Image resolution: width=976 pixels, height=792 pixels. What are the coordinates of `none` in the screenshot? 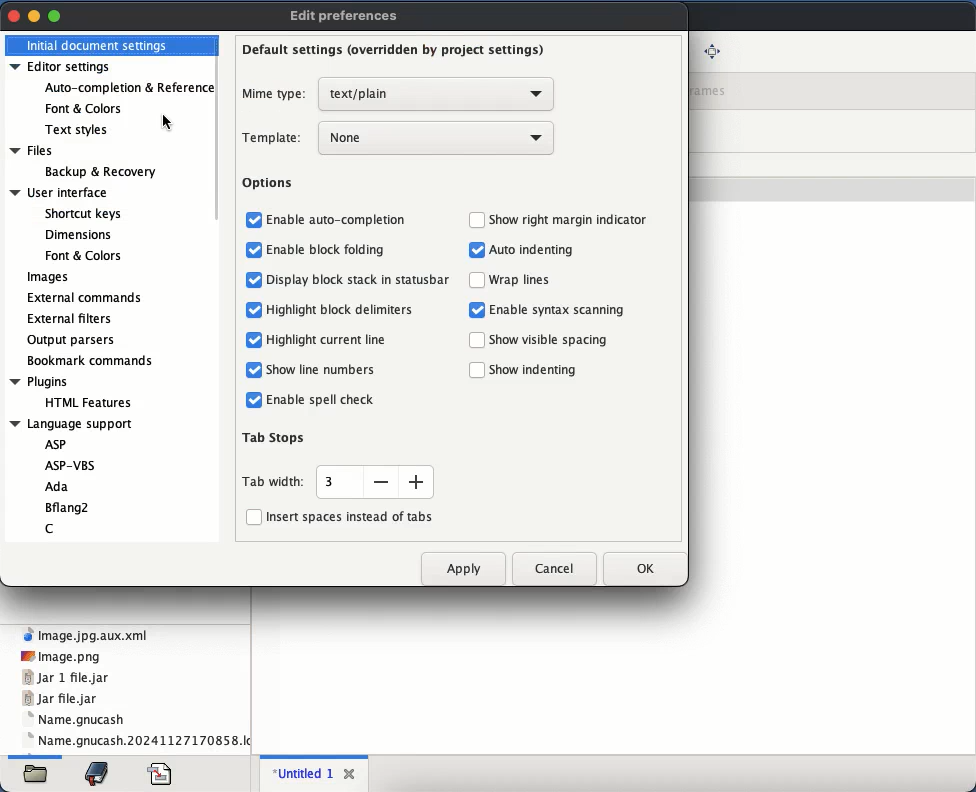 It's located at (435, 136).